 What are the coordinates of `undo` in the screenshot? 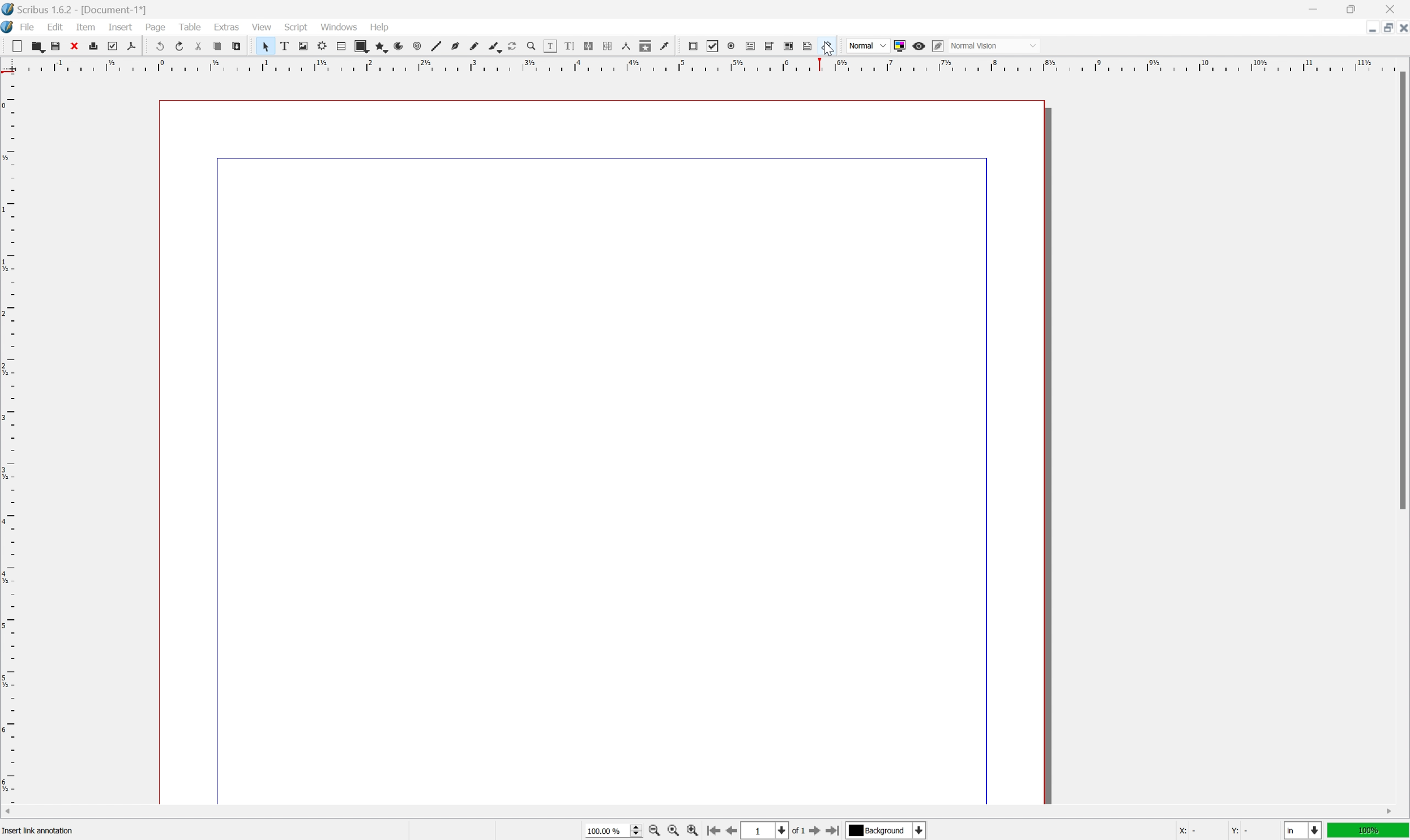 It's located at (158, 45).